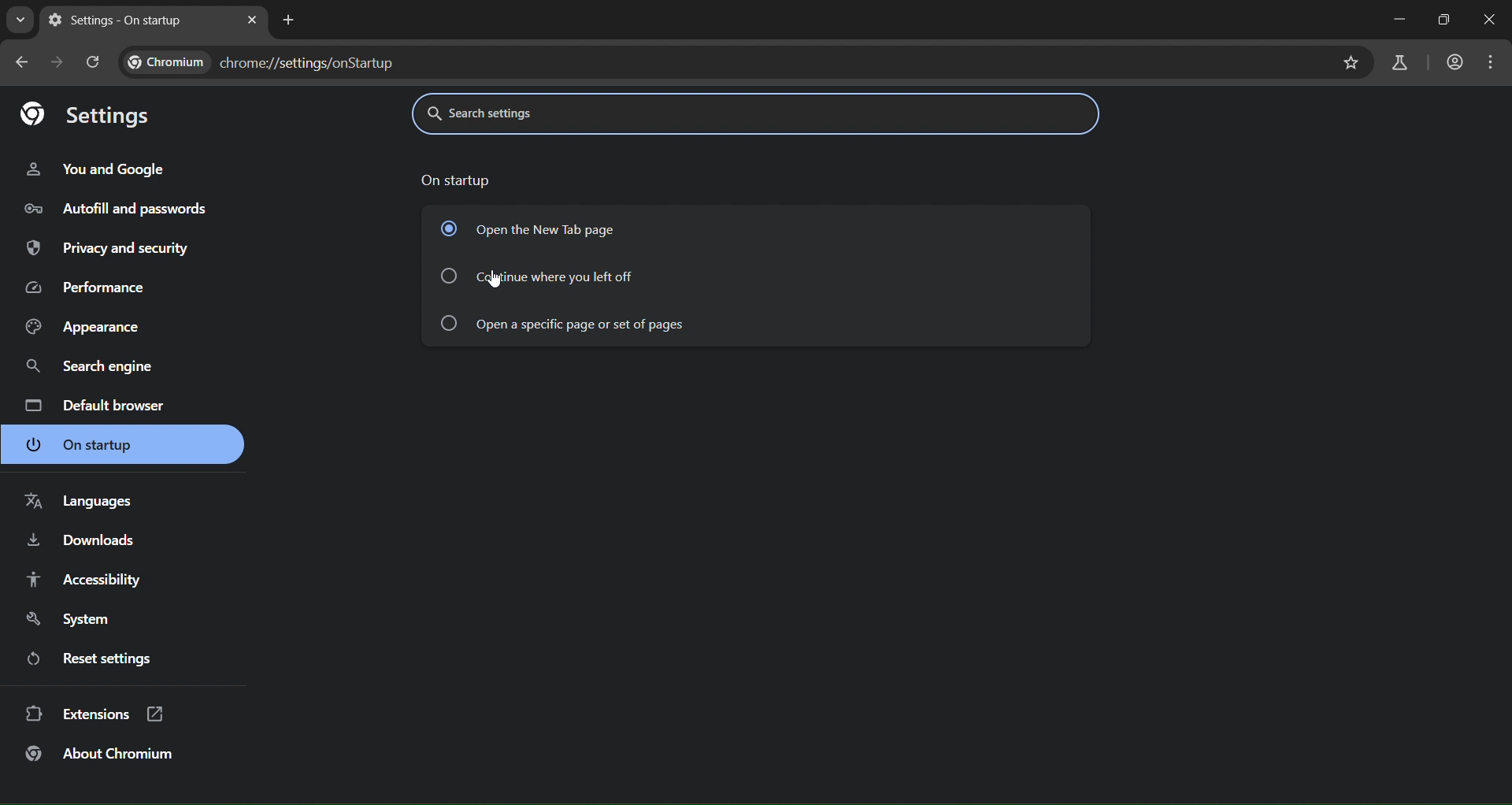 The height and width of the screenshot is (805, 1512). What do you see at coordinates (1352, 61) in the screenshot?
I see `bookmark page` at bounding box center [1352, 61].